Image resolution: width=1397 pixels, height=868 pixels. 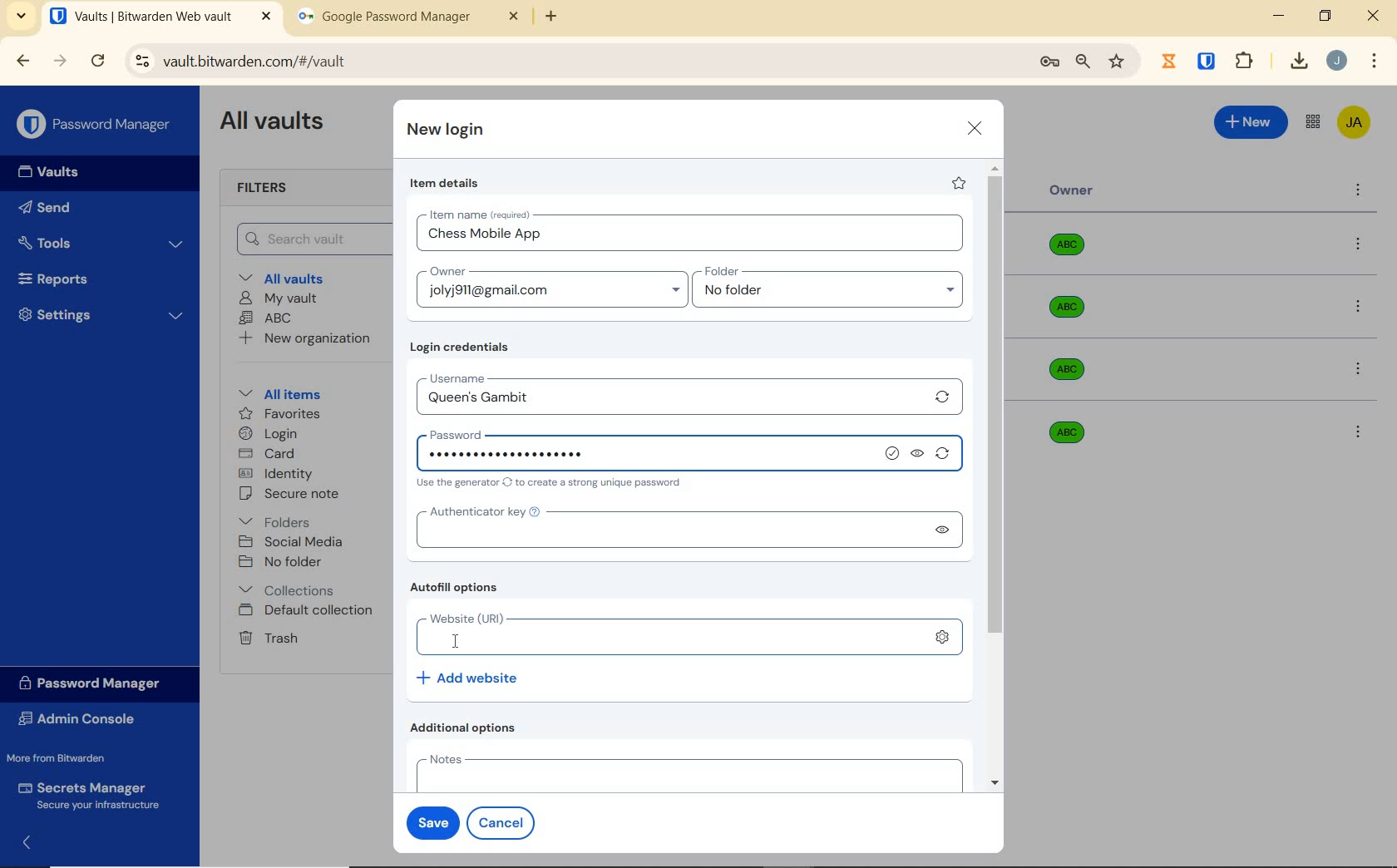 What do you see at coordinates (265, 637) in the screenshot?
I see `Trash` at bounding box center [265, 637].